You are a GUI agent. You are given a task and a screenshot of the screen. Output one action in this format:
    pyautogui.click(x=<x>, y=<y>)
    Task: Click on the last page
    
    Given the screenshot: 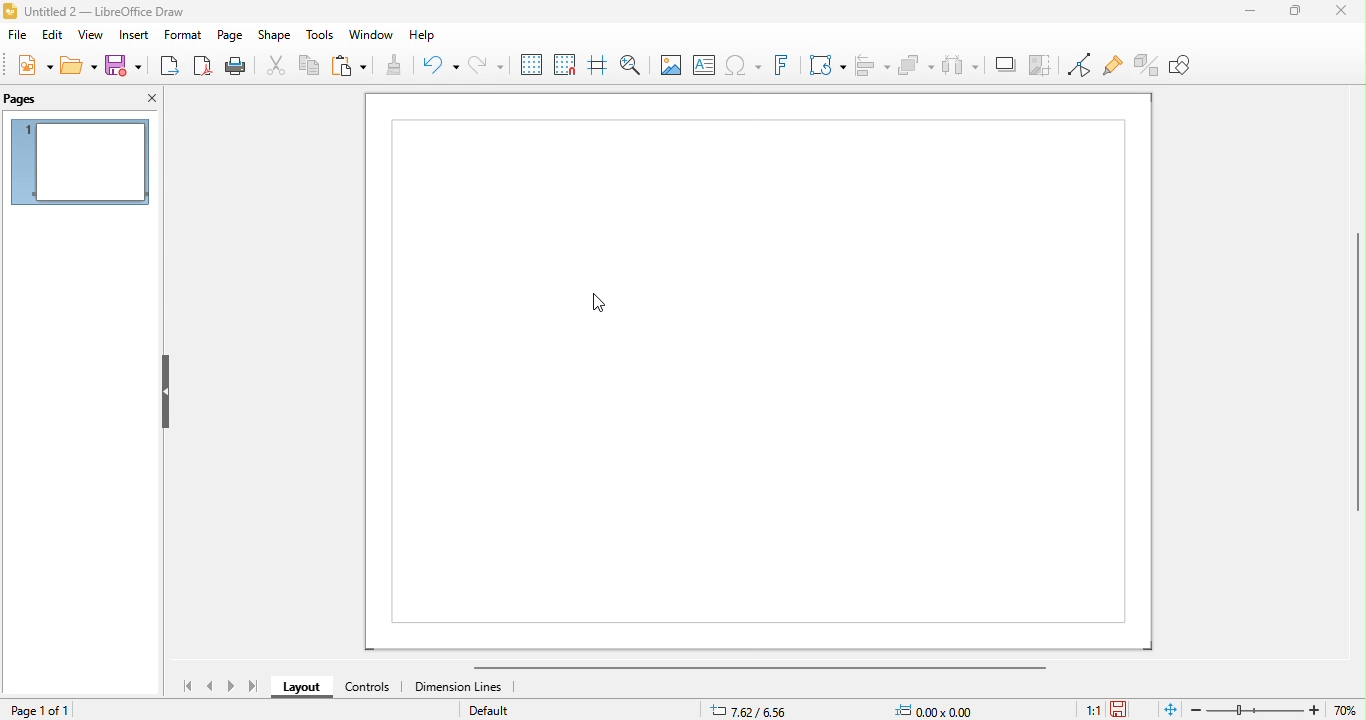 What is the action you would take?
    pyautogui.click(x=253, y=687)
    